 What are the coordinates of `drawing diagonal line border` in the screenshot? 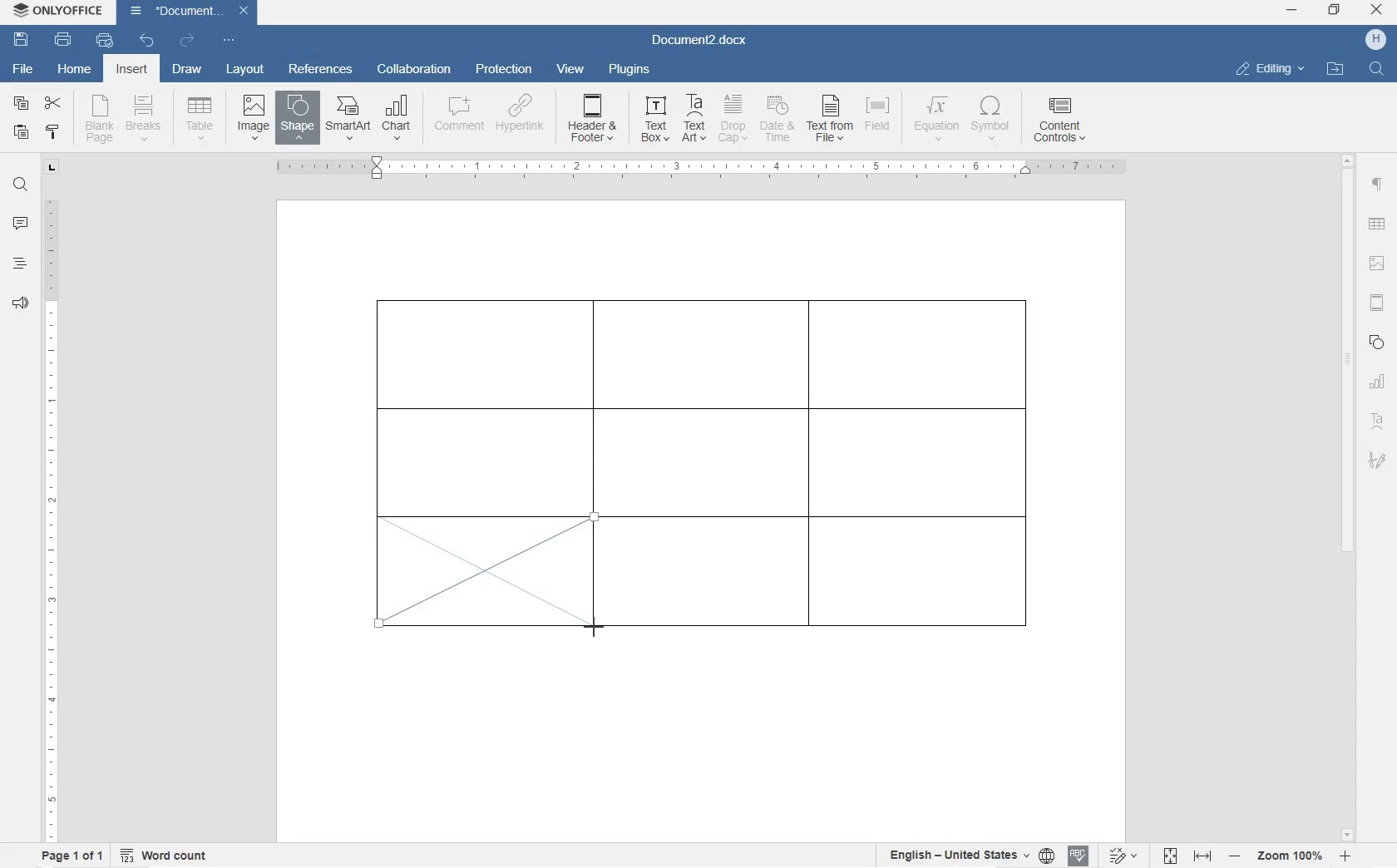 It's located at (485, 572).